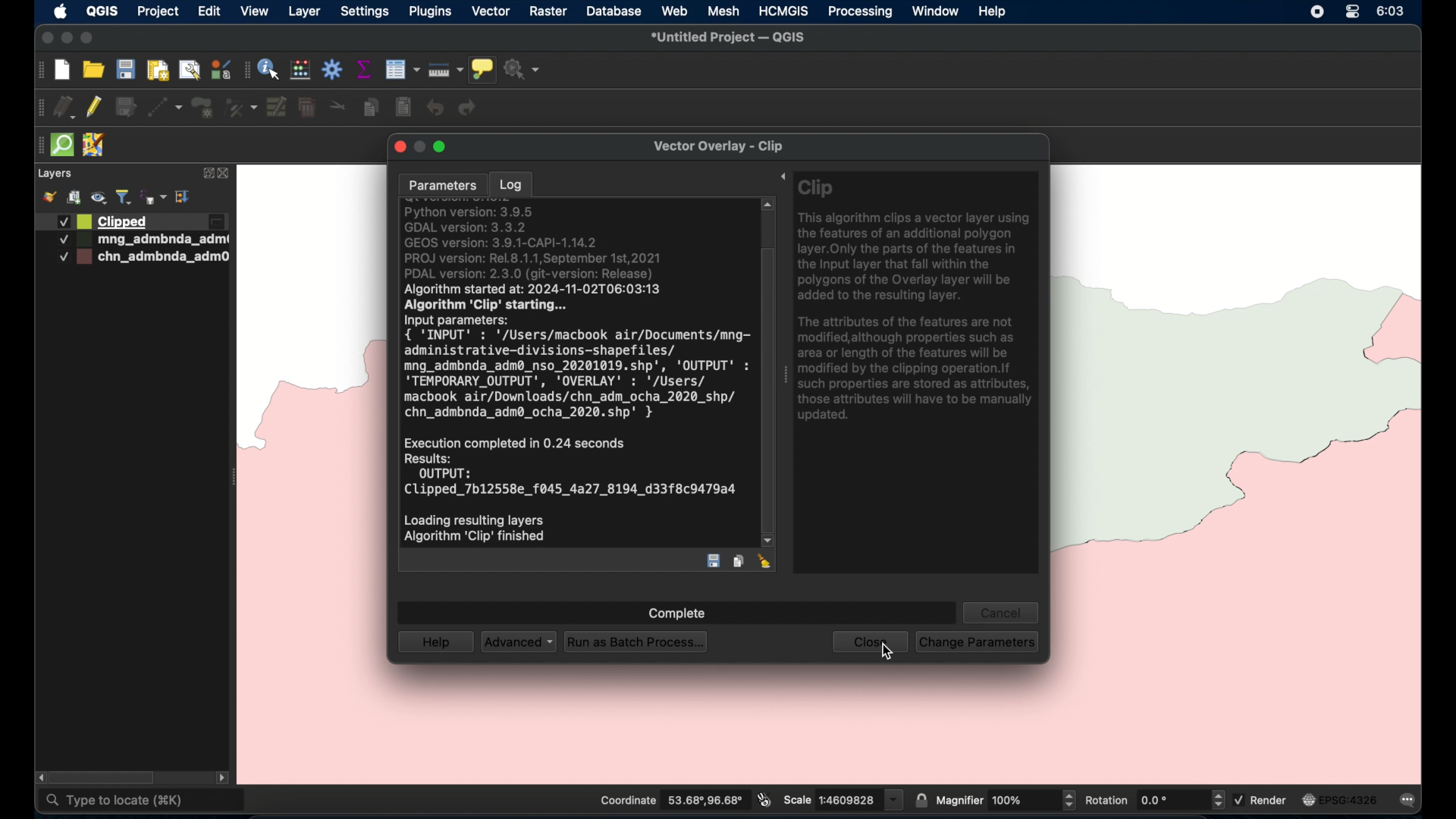 The height and width of the screenshot is (819, 1456). What do you see at coordinates (100, 198) in the screenshot?
I see `manage map theme` at bounding box center [100, 198].